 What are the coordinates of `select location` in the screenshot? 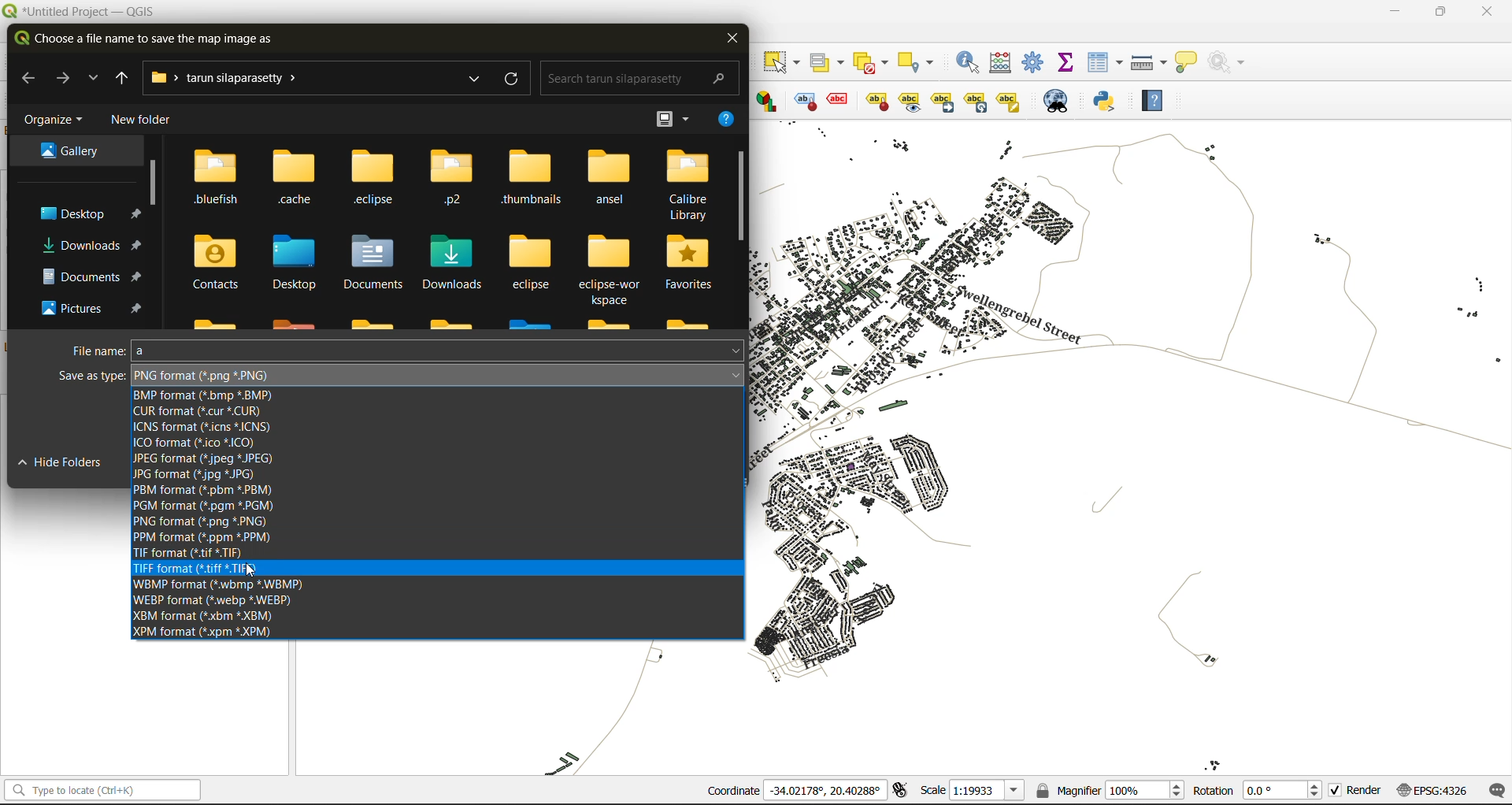 It's located at (921, 61).